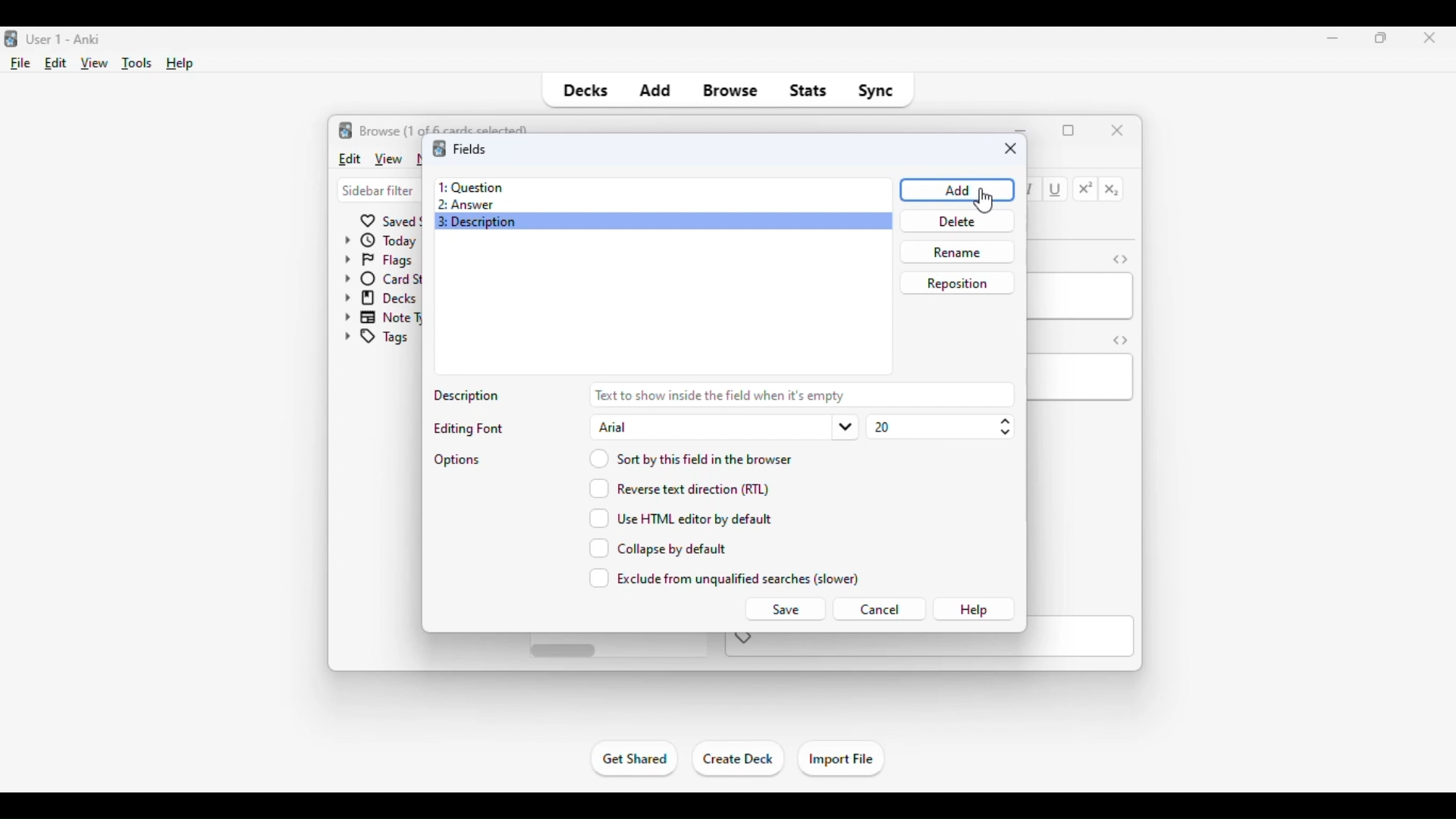 Image resolution: width=1456 pixels, height=819 pixels. I want to click on title, so click(65, 39).